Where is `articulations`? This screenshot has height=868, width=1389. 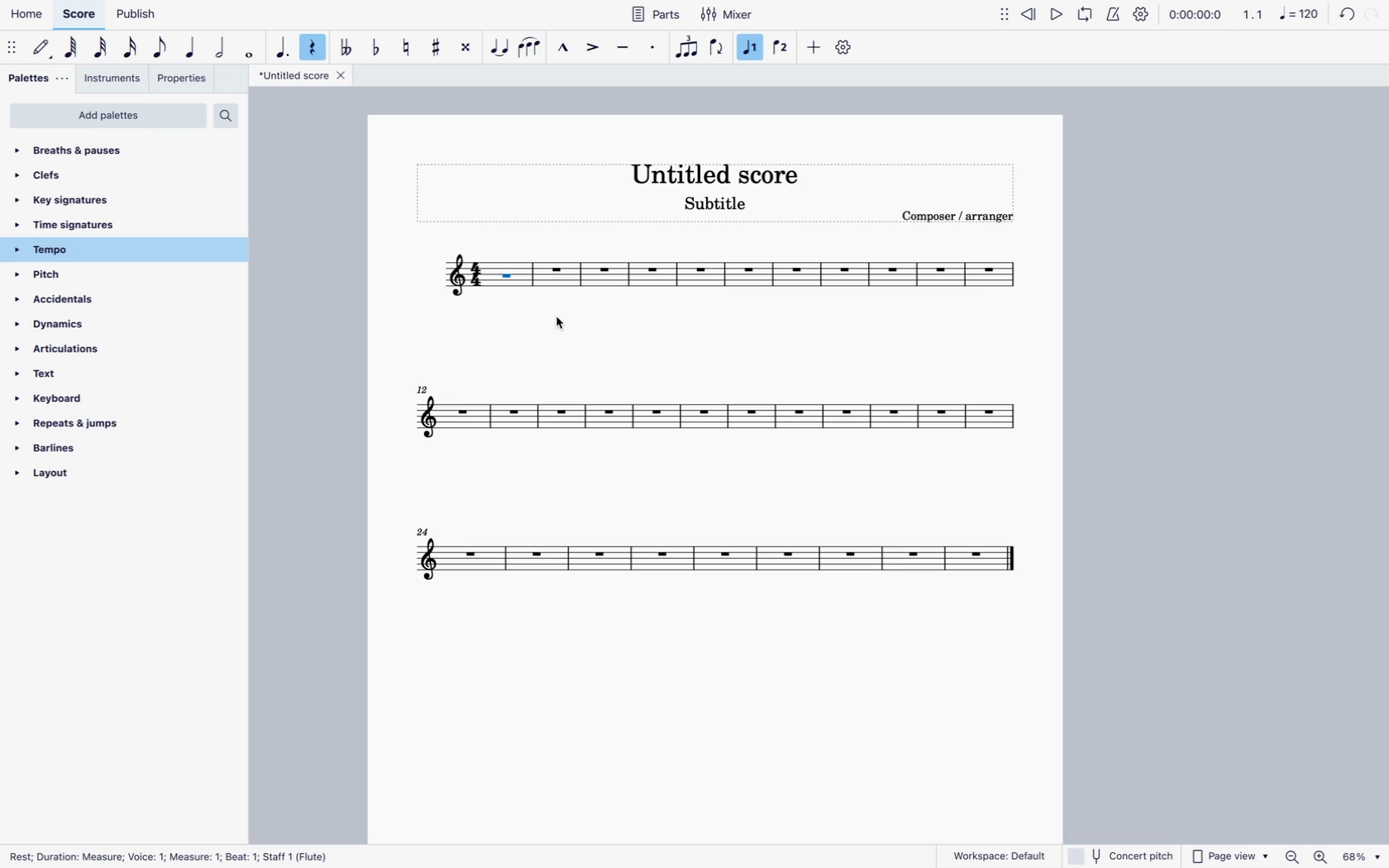
articulations is located at coordinates (90, 352).